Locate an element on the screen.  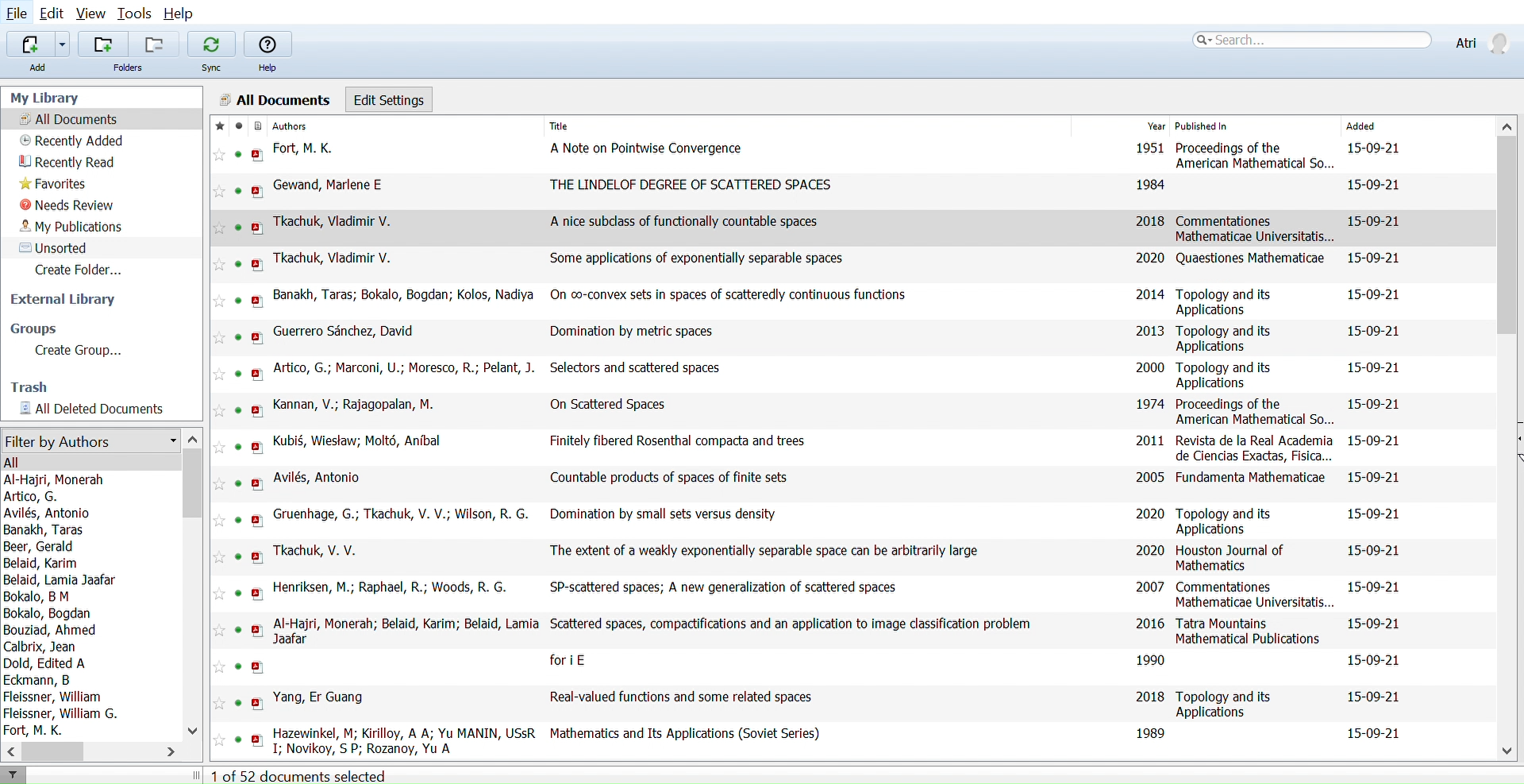
Beer, Gerald is located at coordinates (43, 547).